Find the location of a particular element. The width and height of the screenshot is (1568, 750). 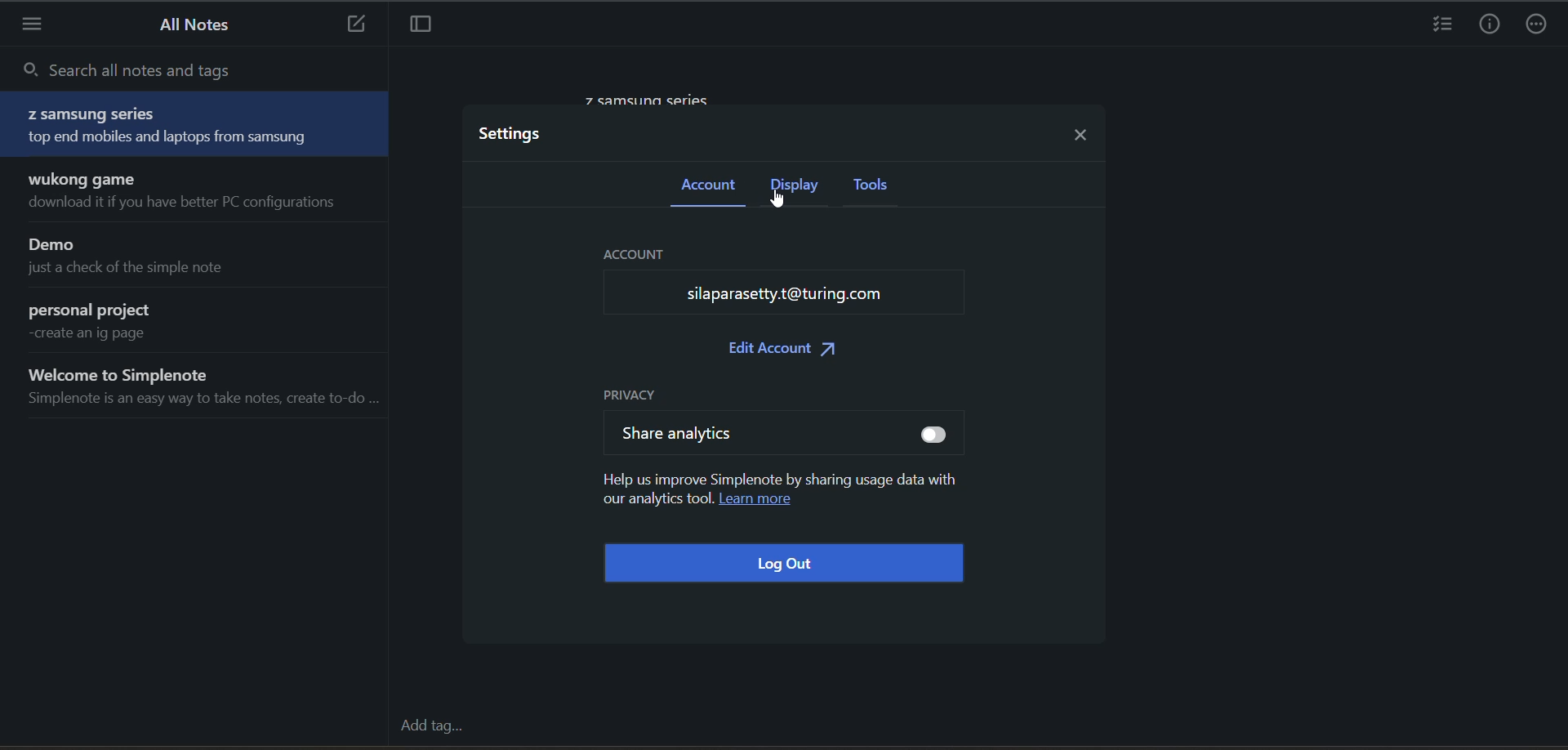

cursor is located at coordinates (783, 200).